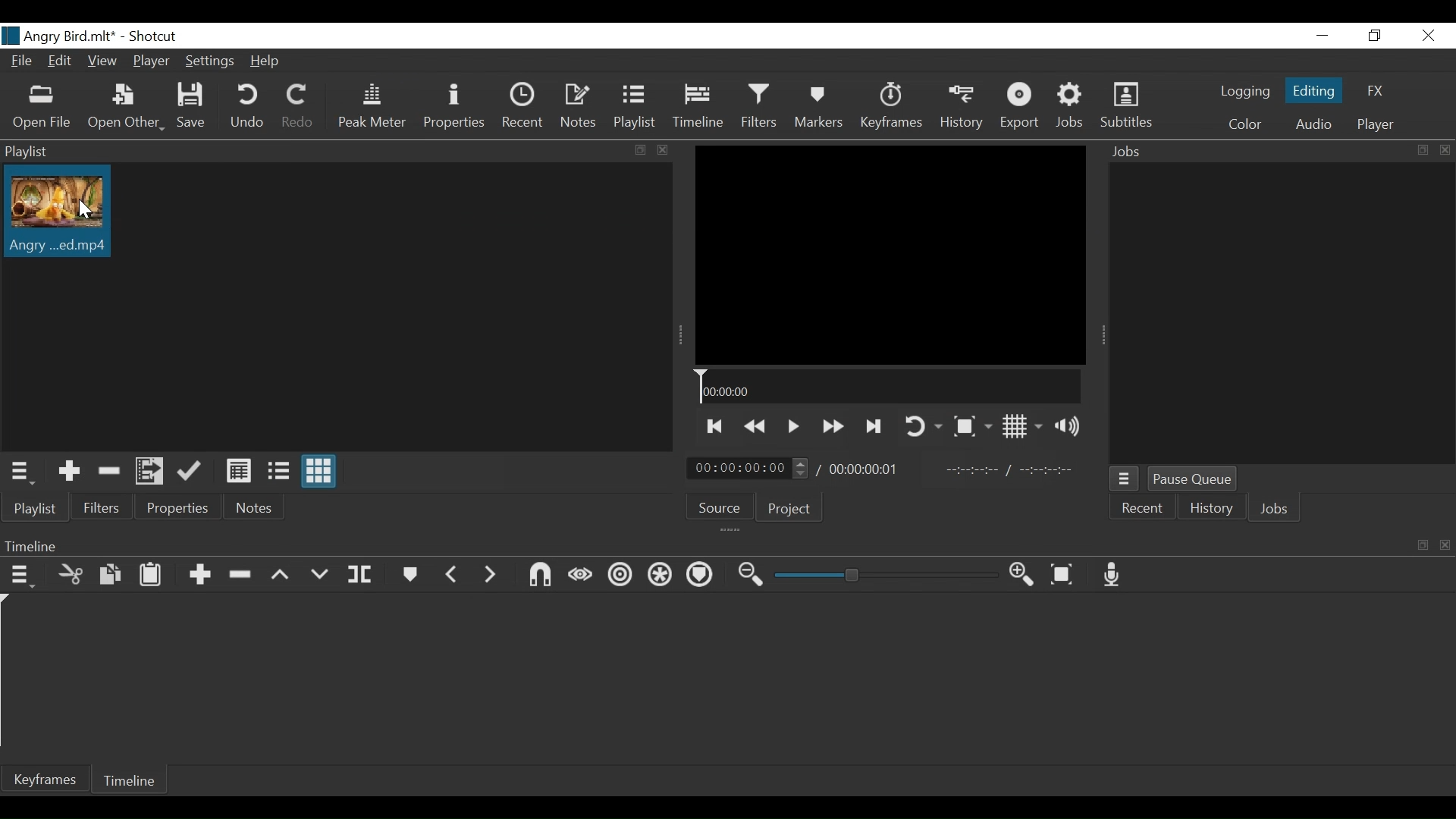  Describe the element at coordinates (753, 575) in the screenshot. I see `Zoom timeline out` at that location.